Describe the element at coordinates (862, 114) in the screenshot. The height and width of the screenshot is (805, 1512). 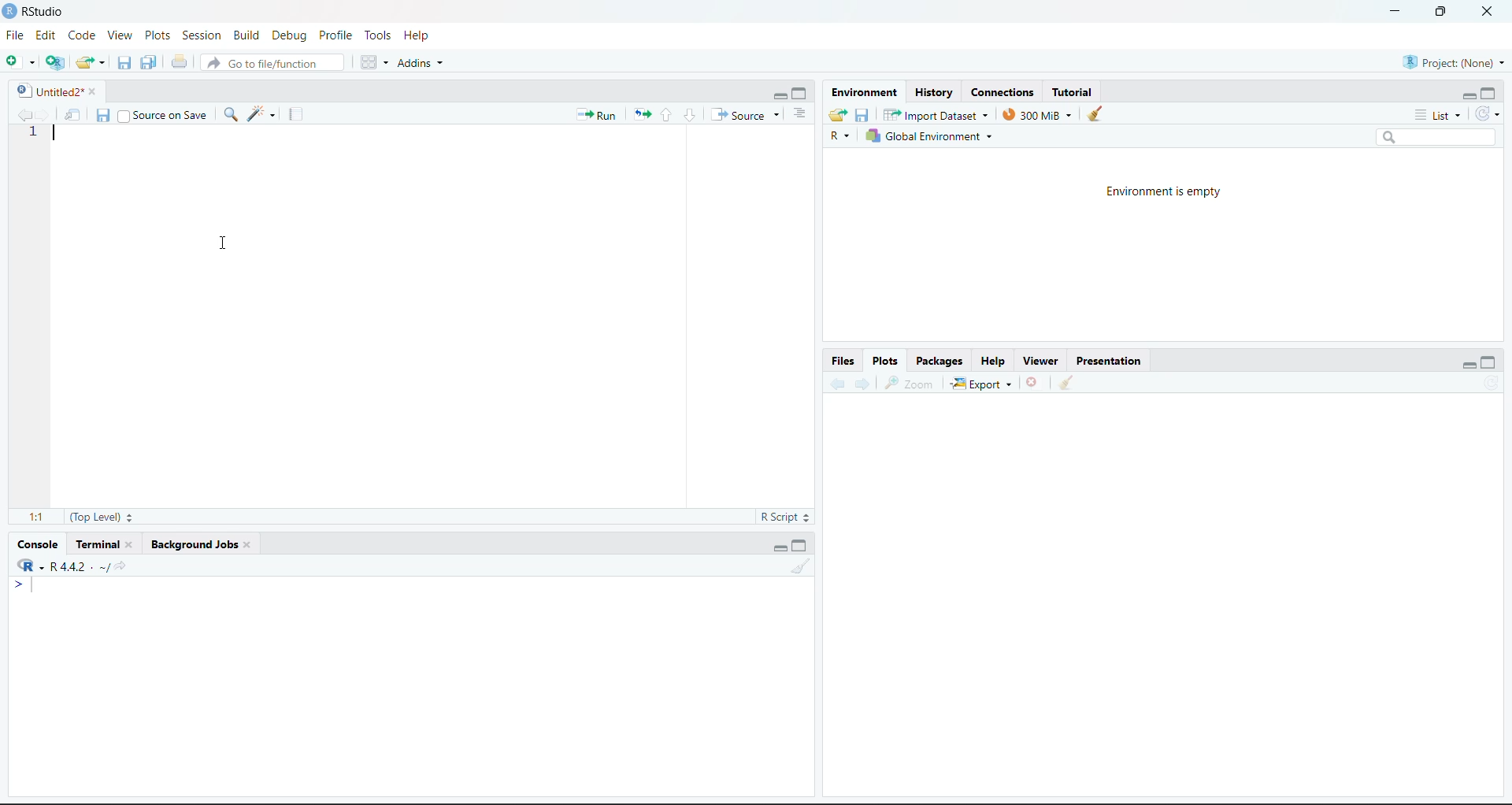
I see `save` at that location.